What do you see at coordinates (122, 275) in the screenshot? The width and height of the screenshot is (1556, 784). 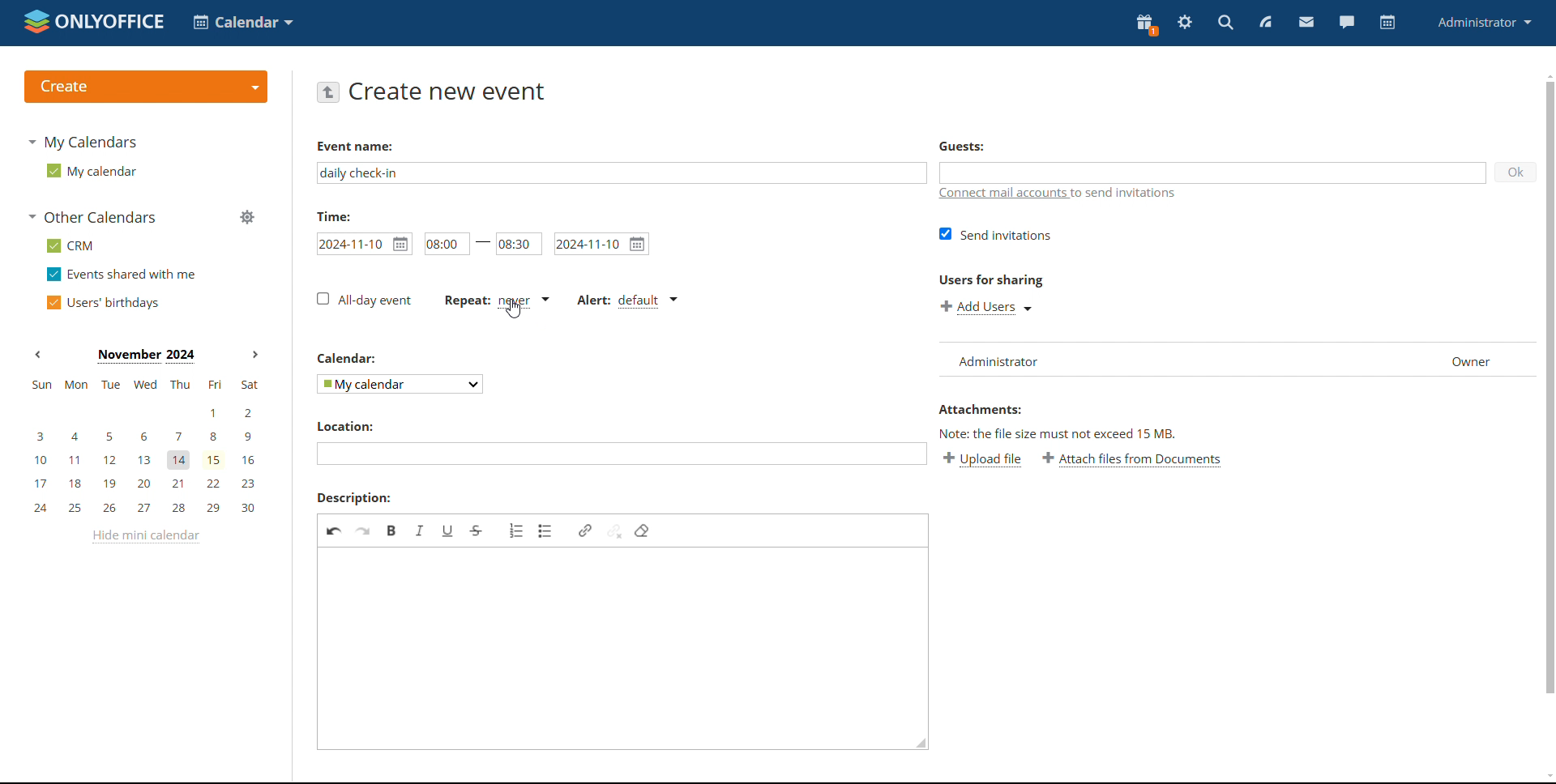 I see `events shared with me` at bounding box center [122, 275].